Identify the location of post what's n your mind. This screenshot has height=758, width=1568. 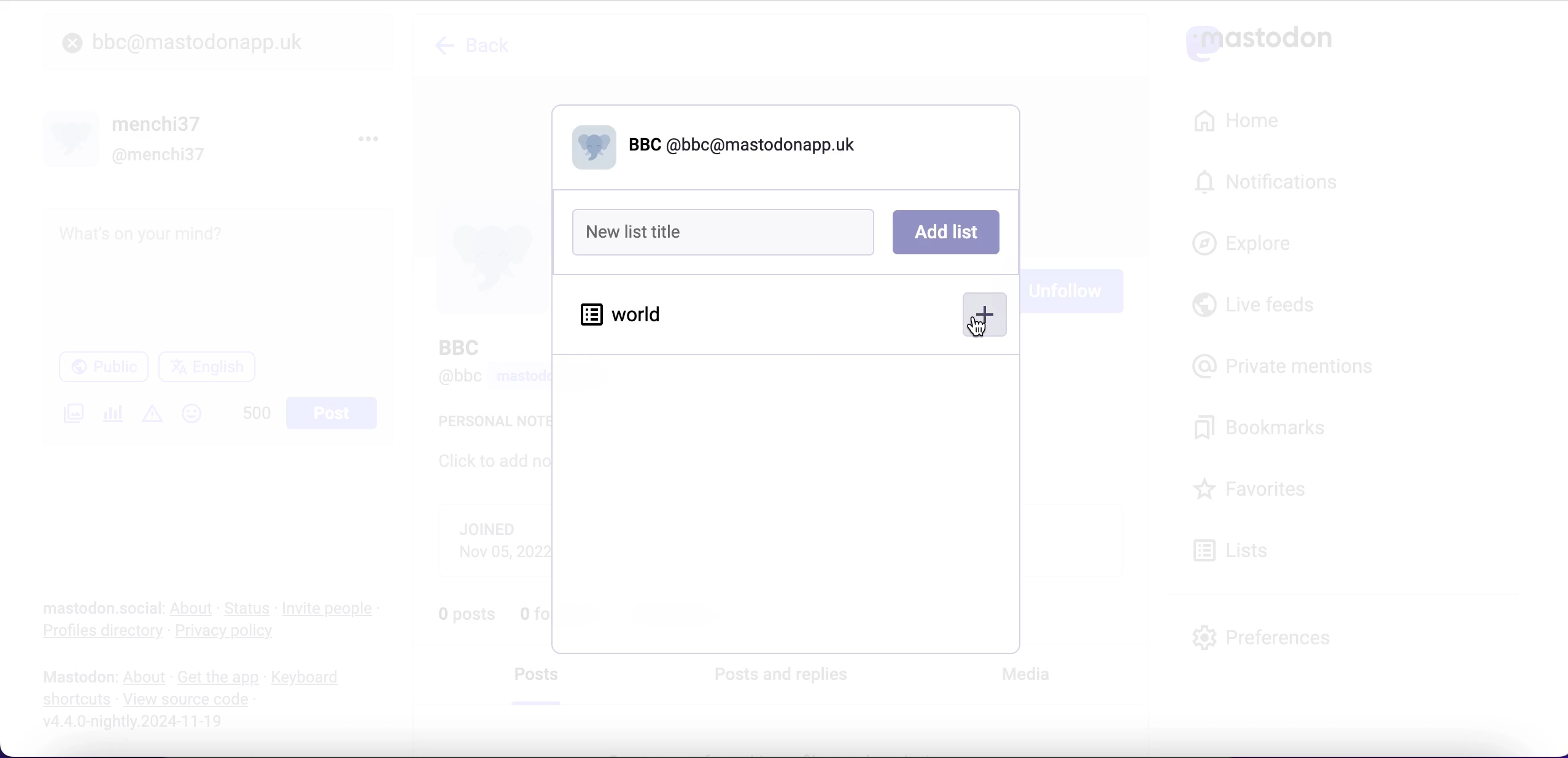
(219, 276).